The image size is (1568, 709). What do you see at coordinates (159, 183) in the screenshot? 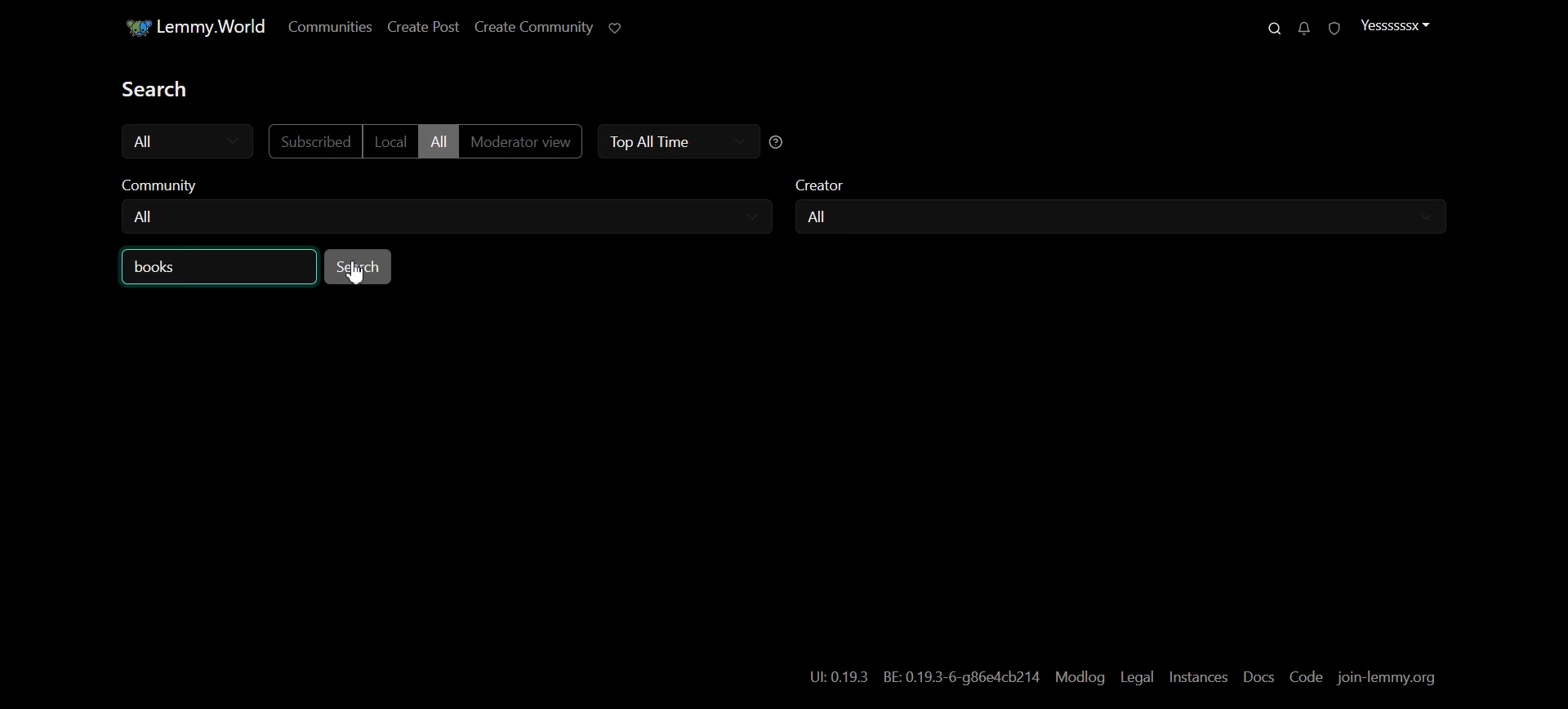
I see `community` at bounding box center [159, 183].